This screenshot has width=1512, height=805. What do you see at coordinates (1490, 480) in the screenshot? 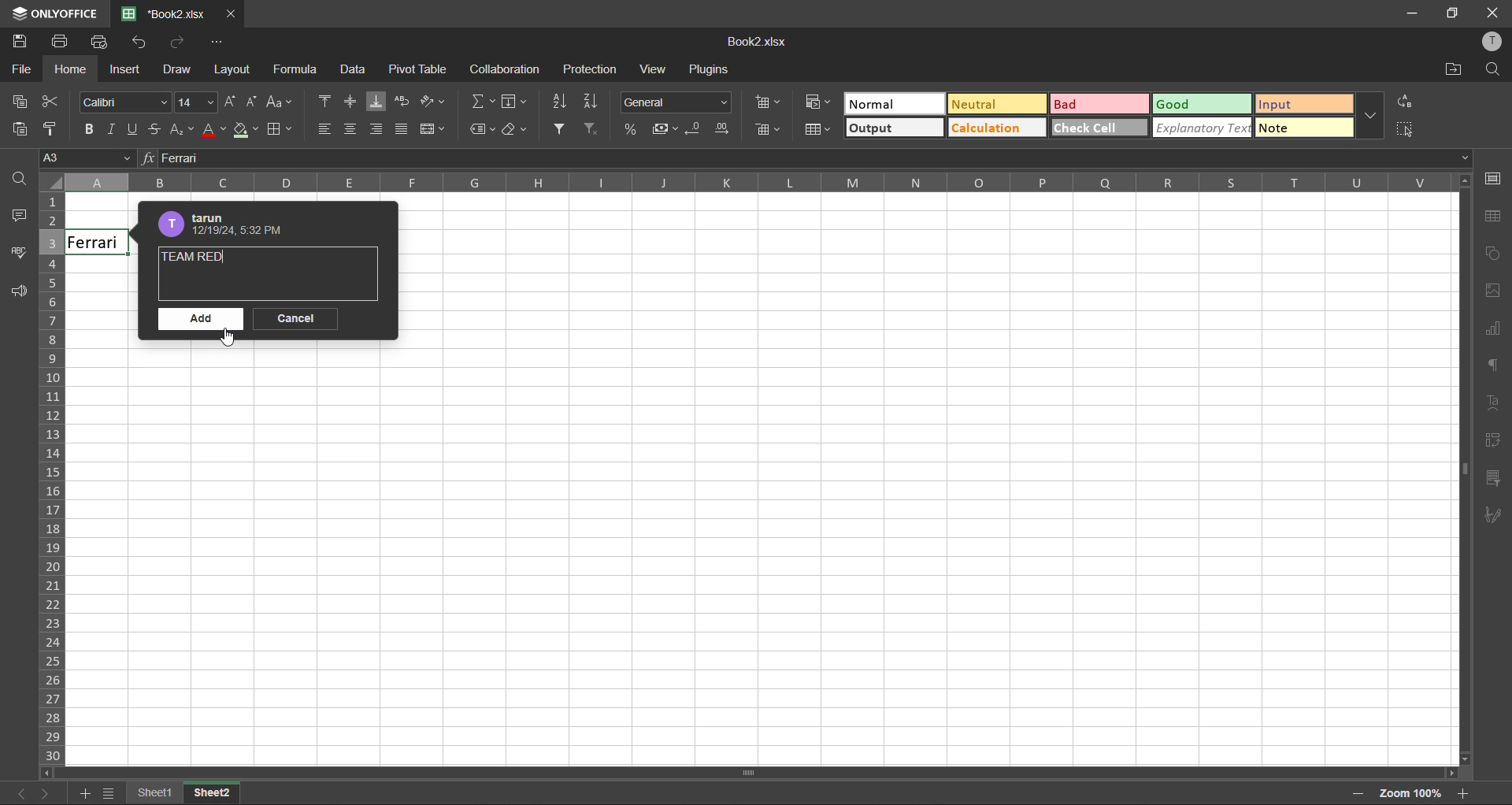
I see `slicer` at bounding box center [1490, 480].